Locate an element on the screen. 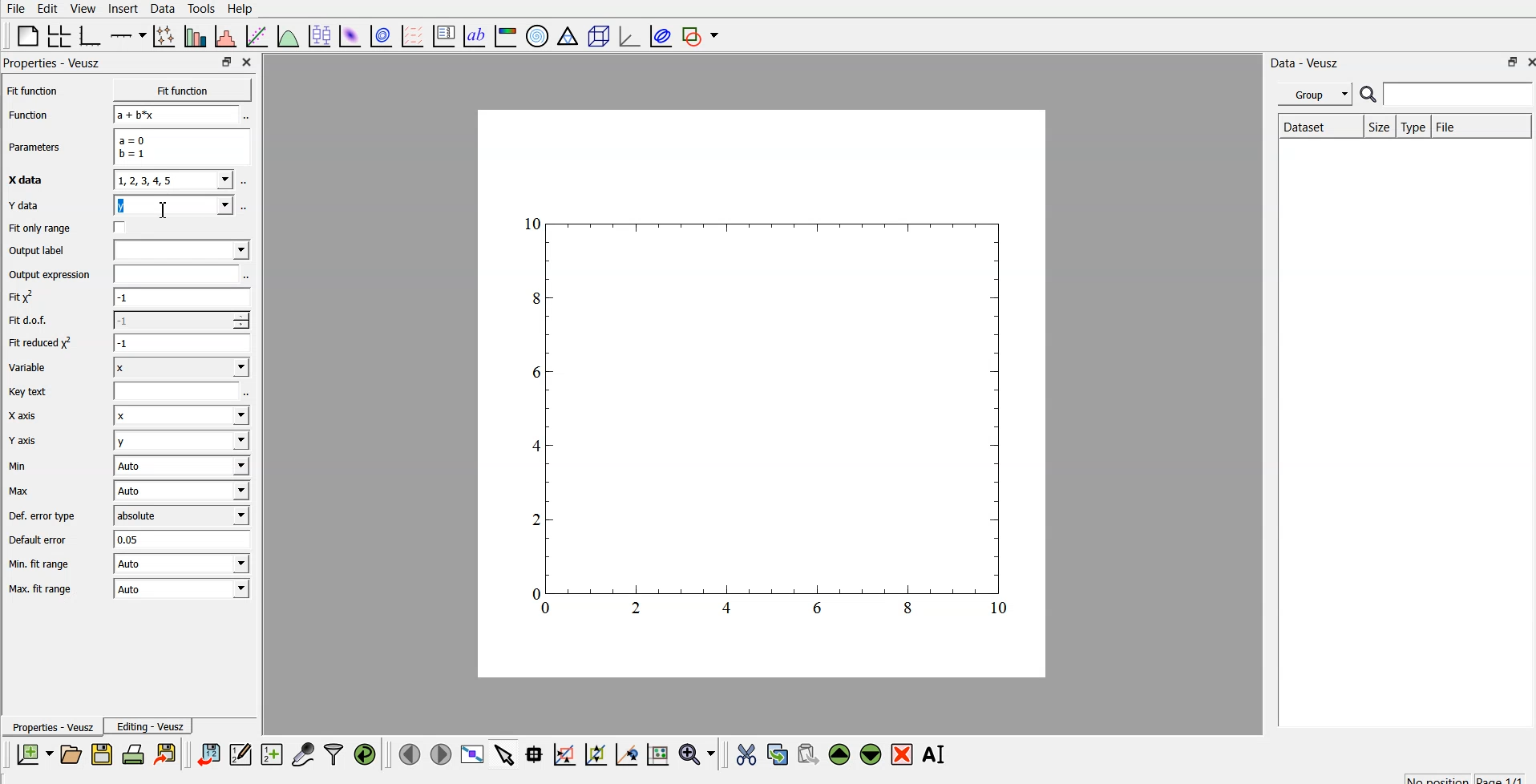  restore down is located at coordinates (224, 63).